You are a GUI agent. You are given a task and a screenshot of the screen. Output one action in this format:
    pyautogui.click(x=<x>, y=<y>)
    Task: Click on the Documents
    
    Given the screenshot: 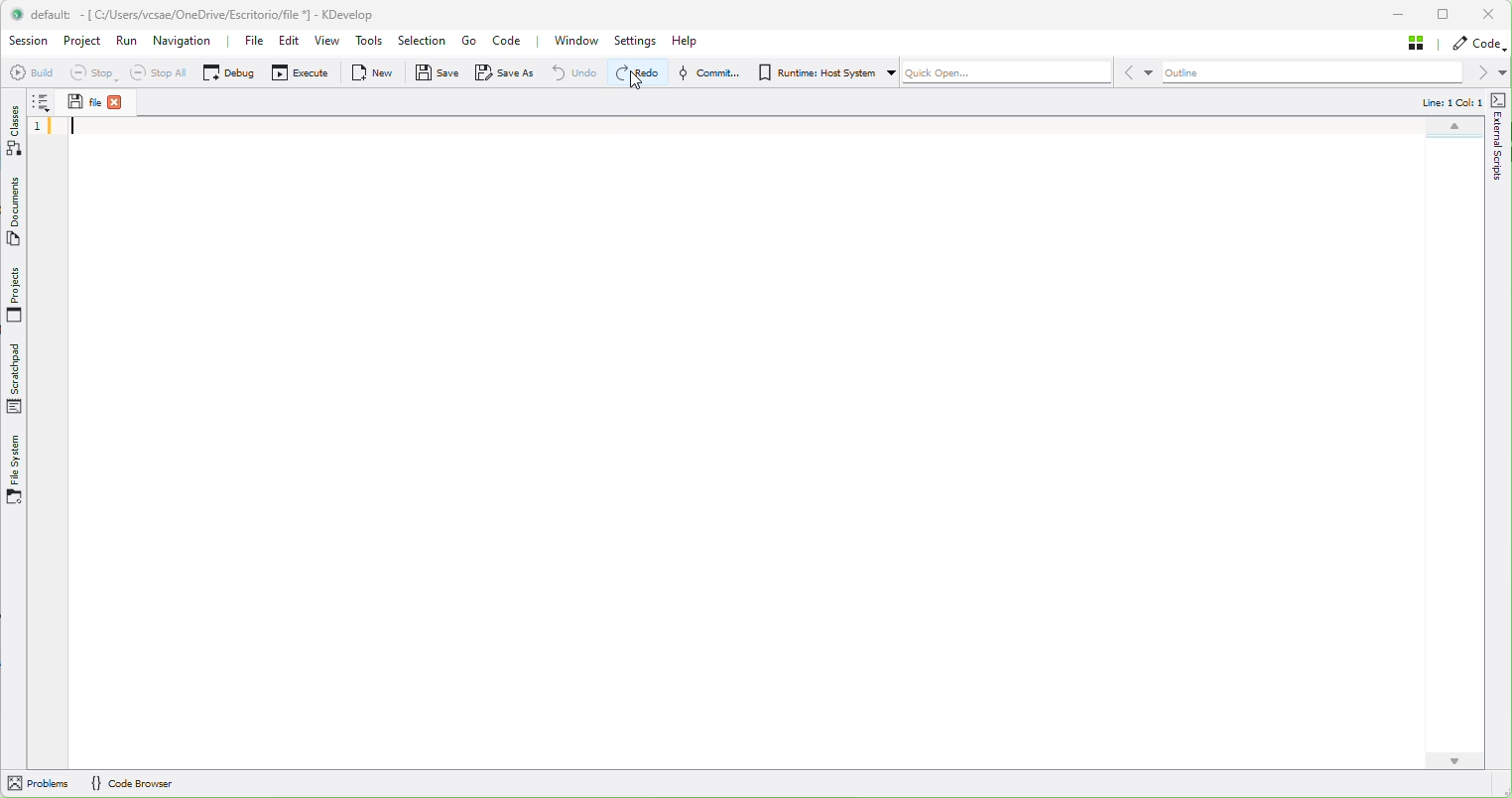 What is the action you would take?
    pyautogui.click(x=18, y=210)
    